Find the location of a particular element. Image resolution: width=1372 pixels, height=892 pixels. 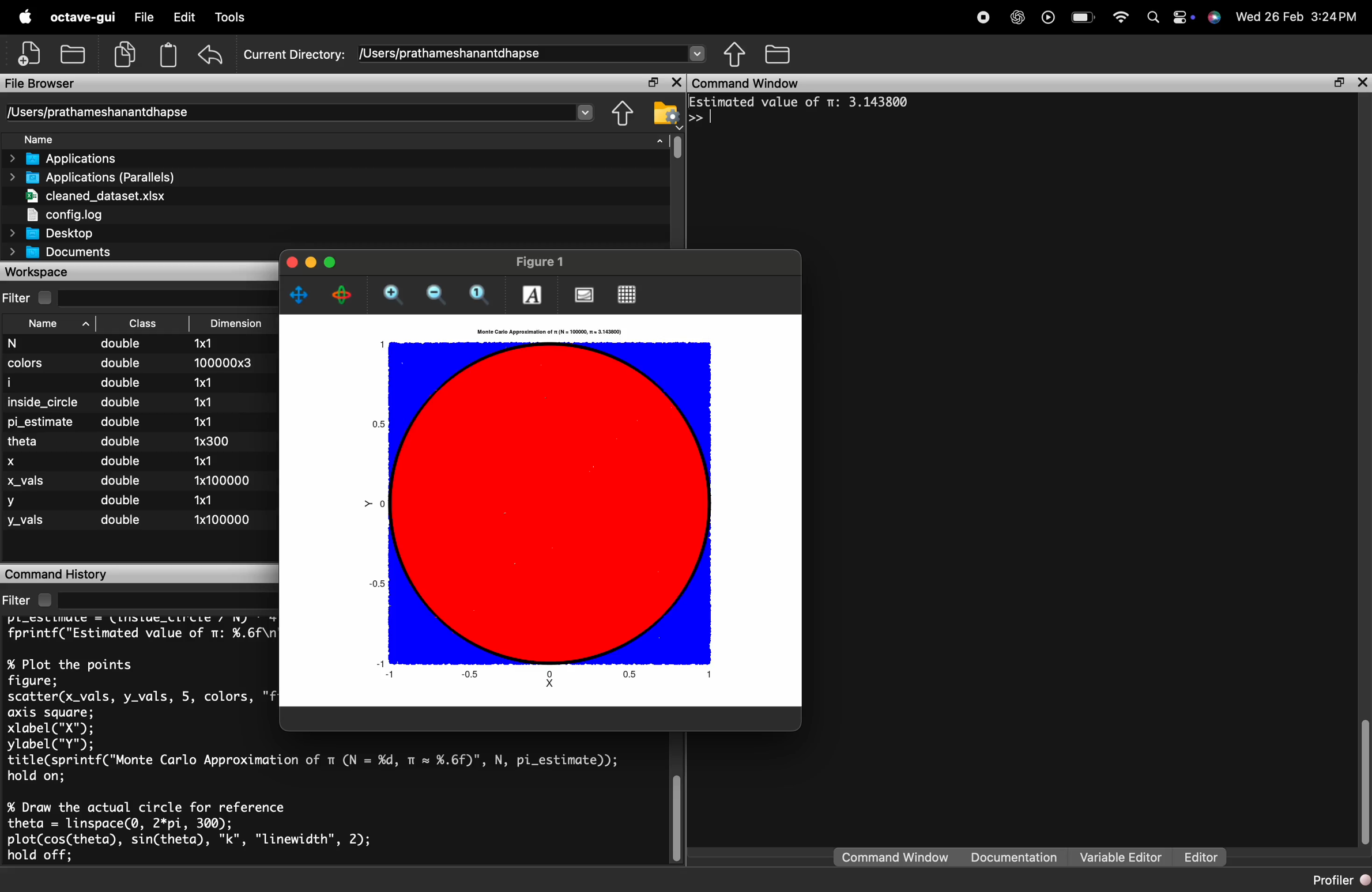

open an existing file in directory is located at coordinates (74, 54).